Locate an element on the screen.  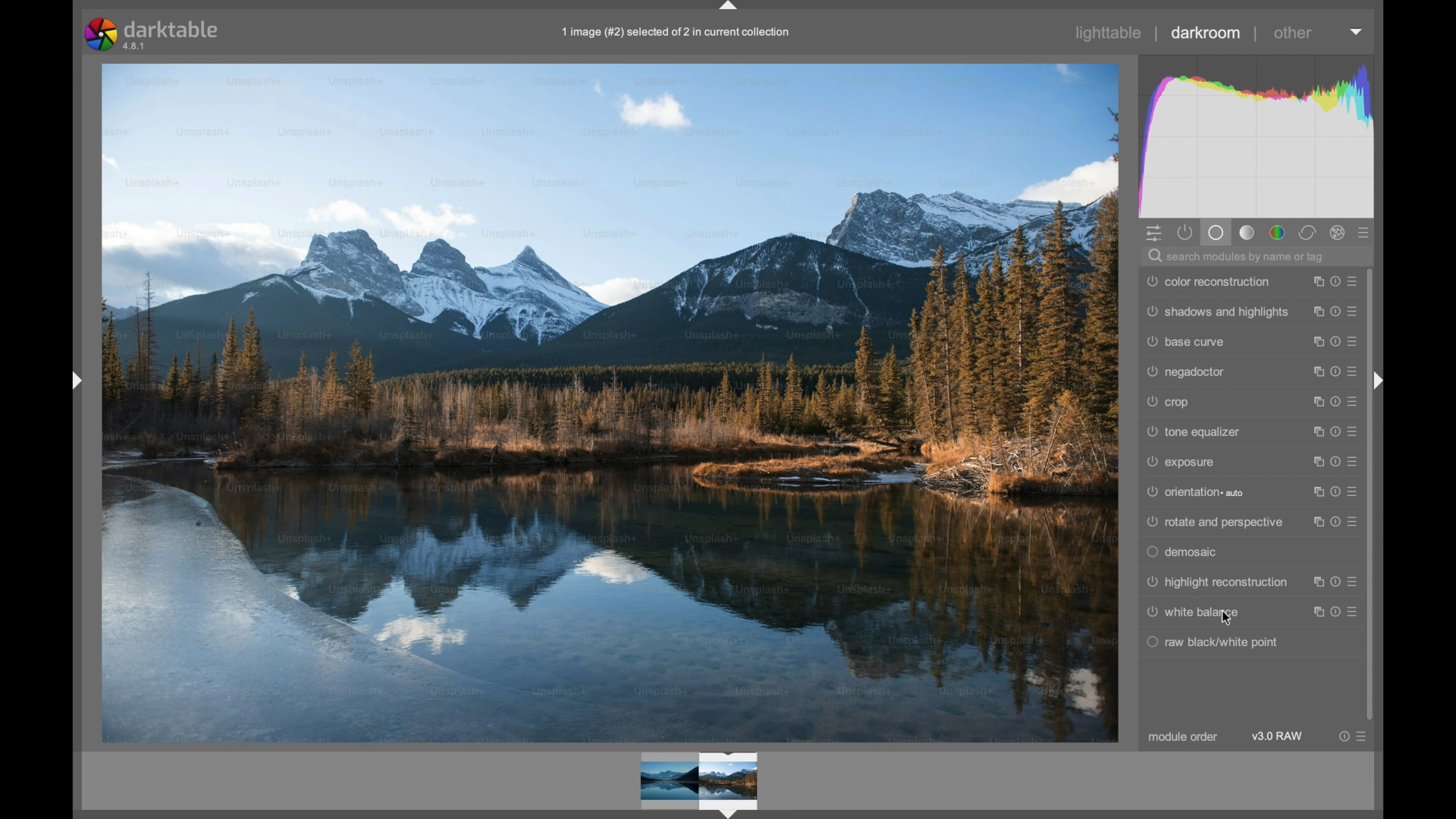
Image is located at coordinates (611, 403).